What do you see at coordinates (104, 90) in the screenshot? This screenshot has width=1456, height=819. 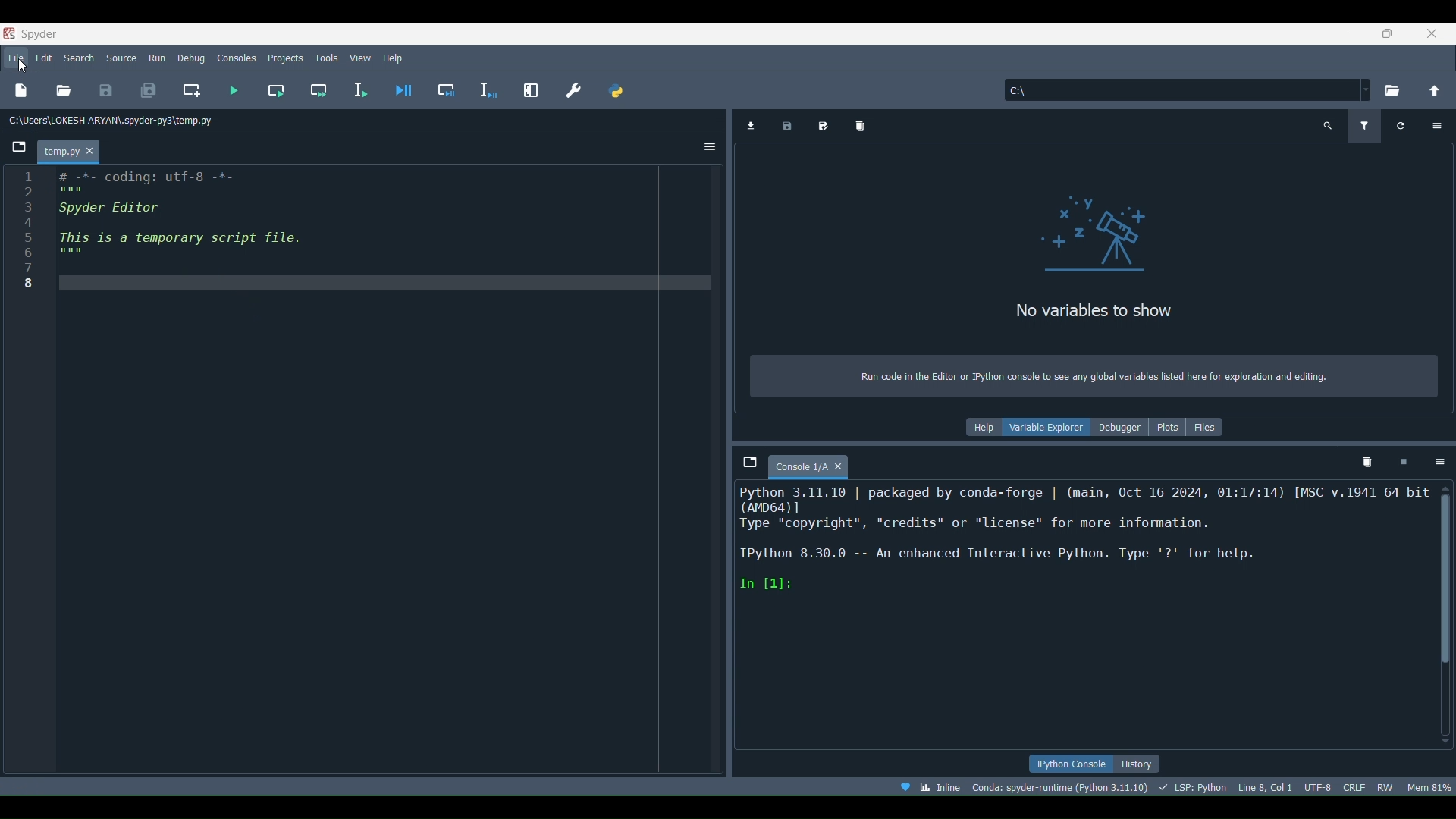 I see `Save file (Ctrl + S)` at bounding box center [104, 90].